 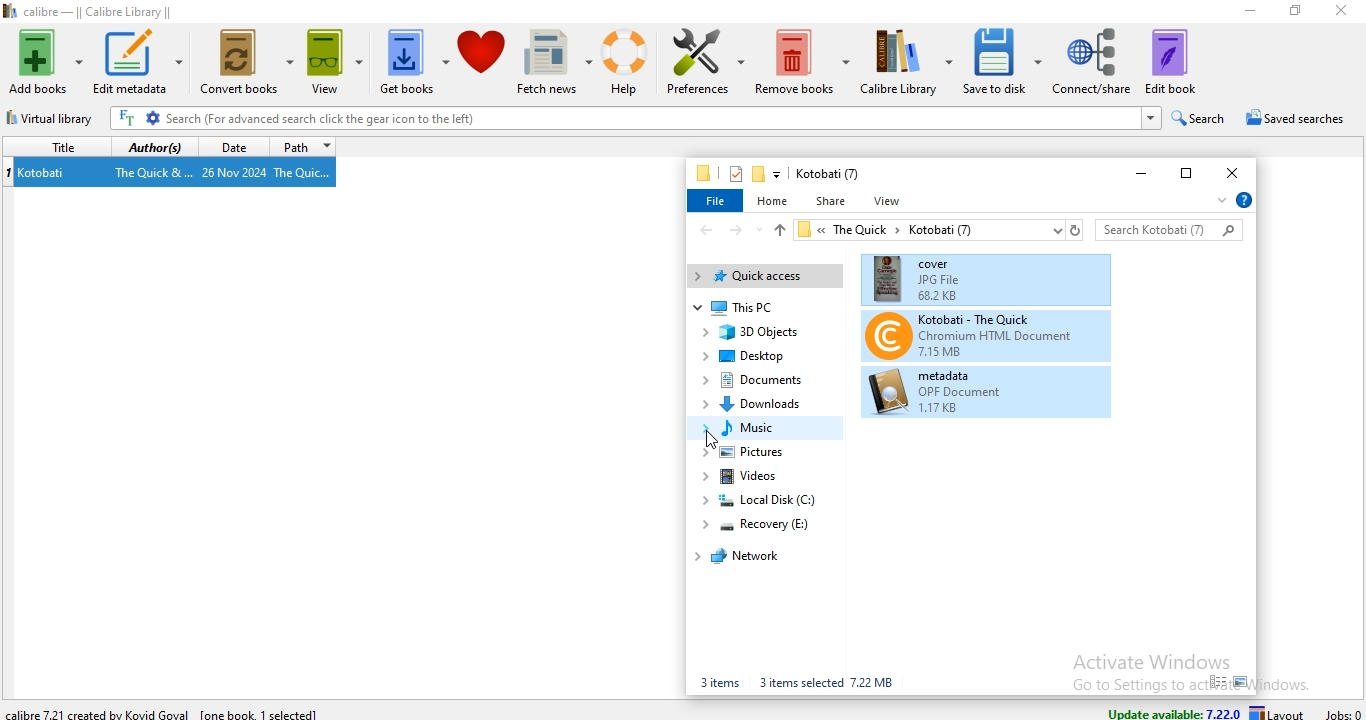 I want to click on « TheQuick > Kotobati (7), so click(x=927, y=231).